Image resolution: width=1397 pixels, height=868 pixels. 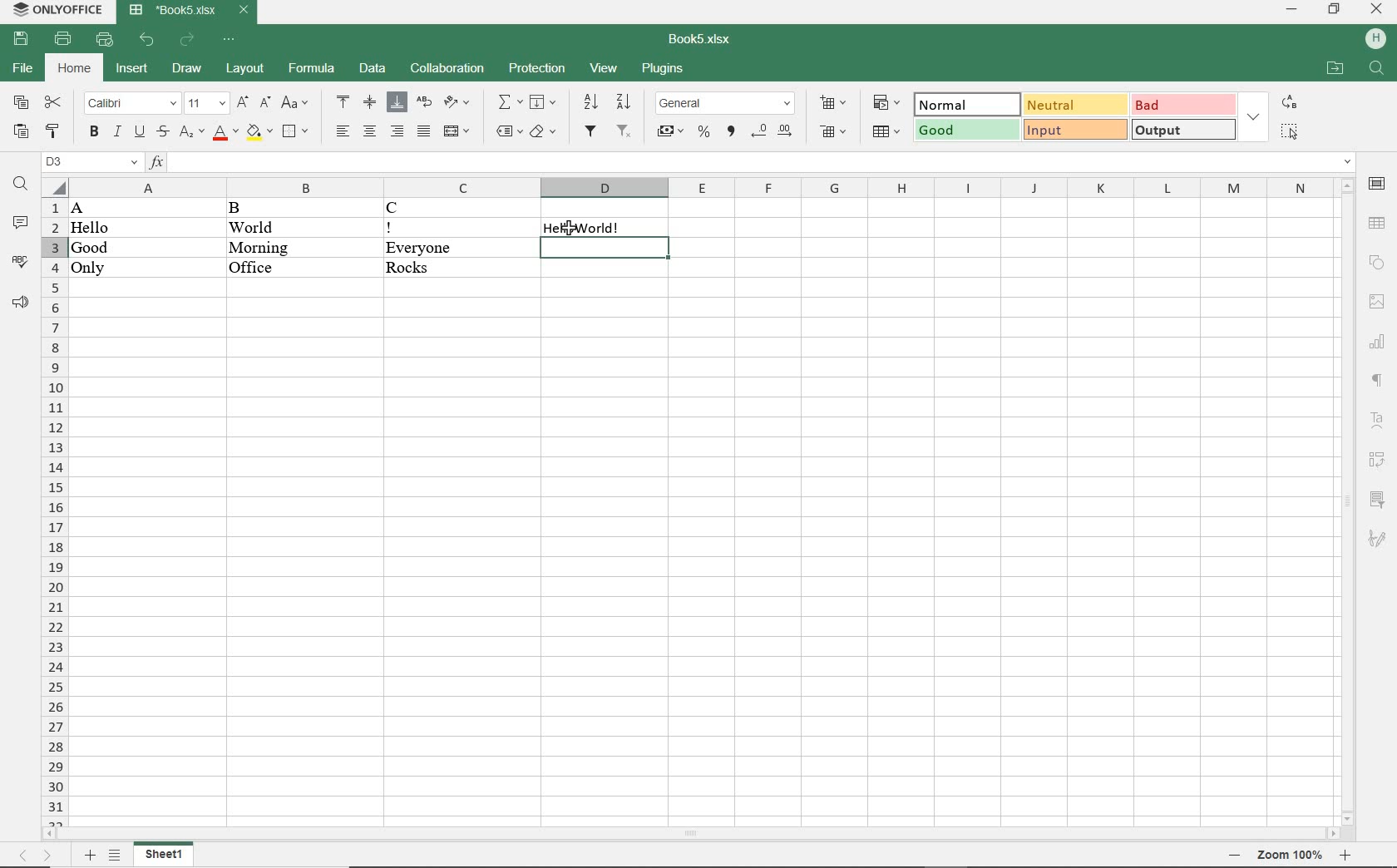 I want to click on FILE, so click(x=24, y=70).